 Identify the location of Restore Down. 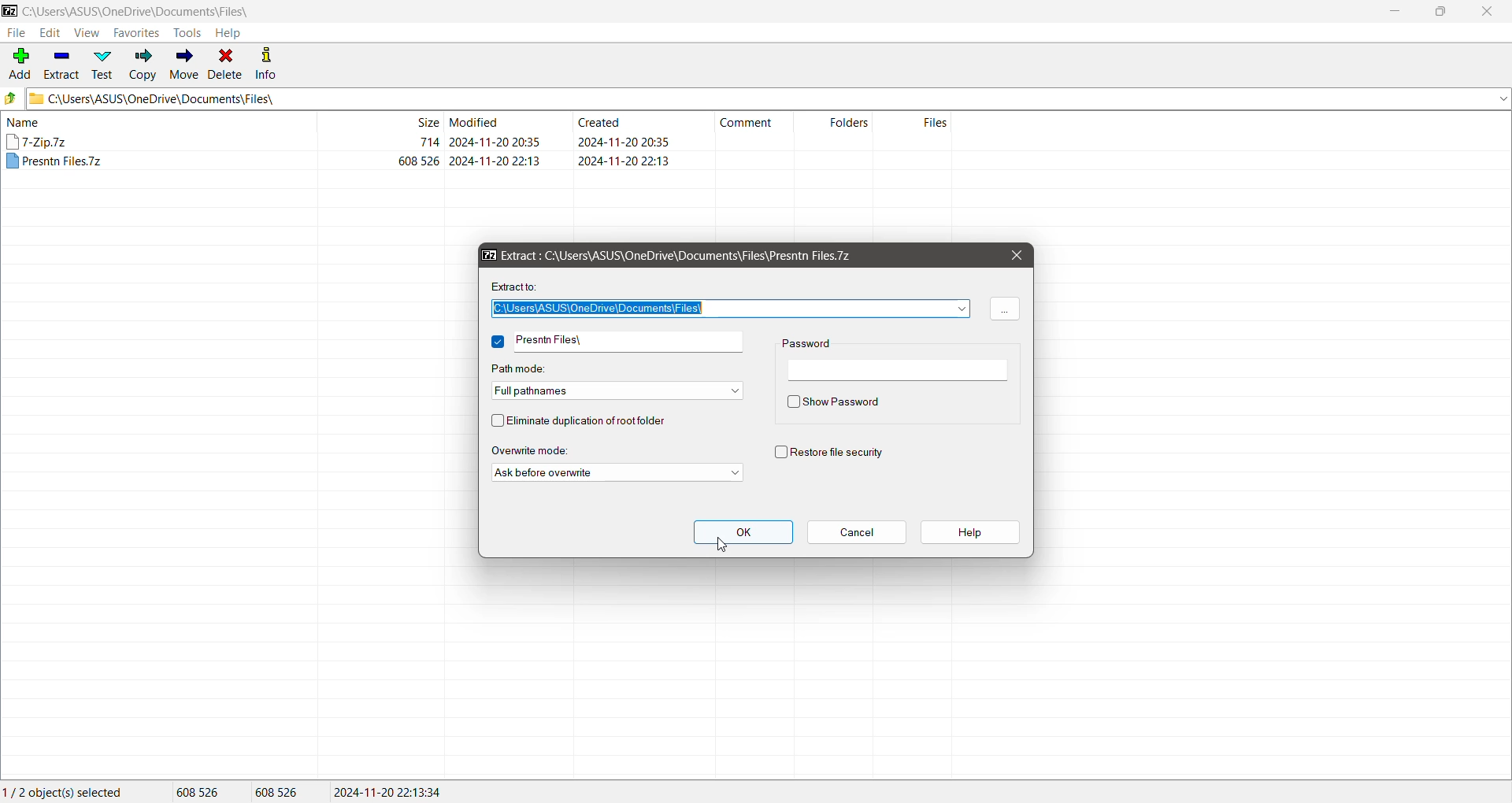
(1440, 12).